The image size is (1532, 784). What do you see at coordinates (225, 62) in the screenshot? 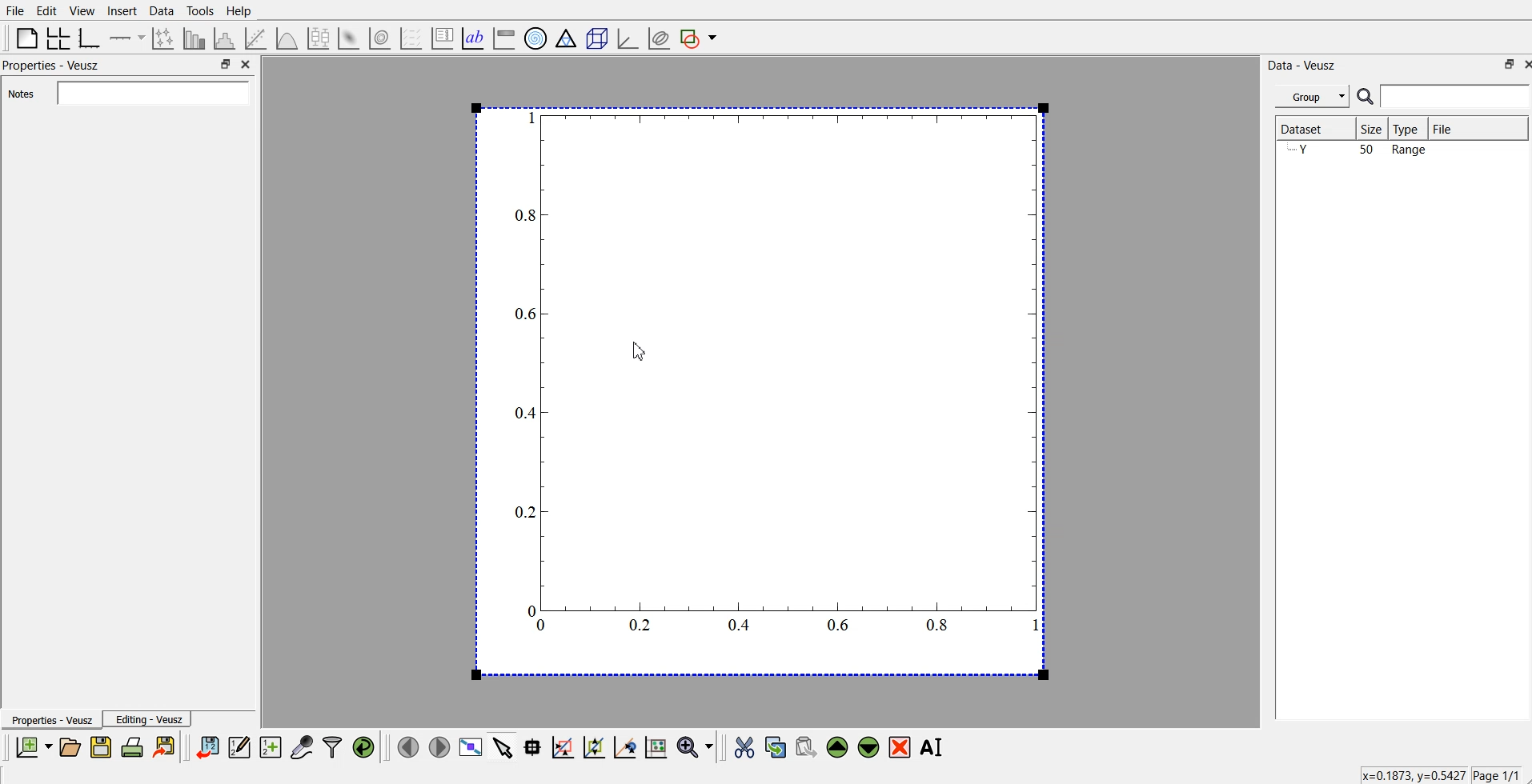
I see `minimise` at bounding box center [225, 62].